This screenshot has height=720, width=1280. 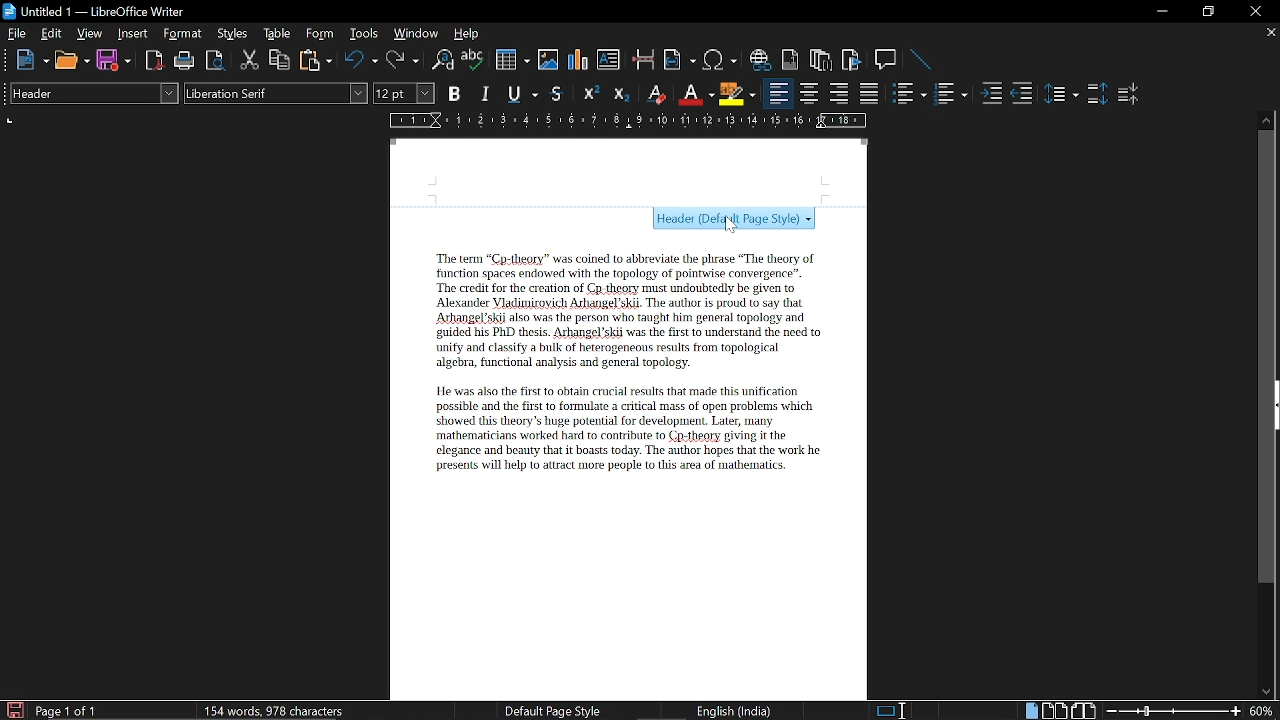 I want to click on Current zoom hey Cortana, so click(x=1261, y=710).